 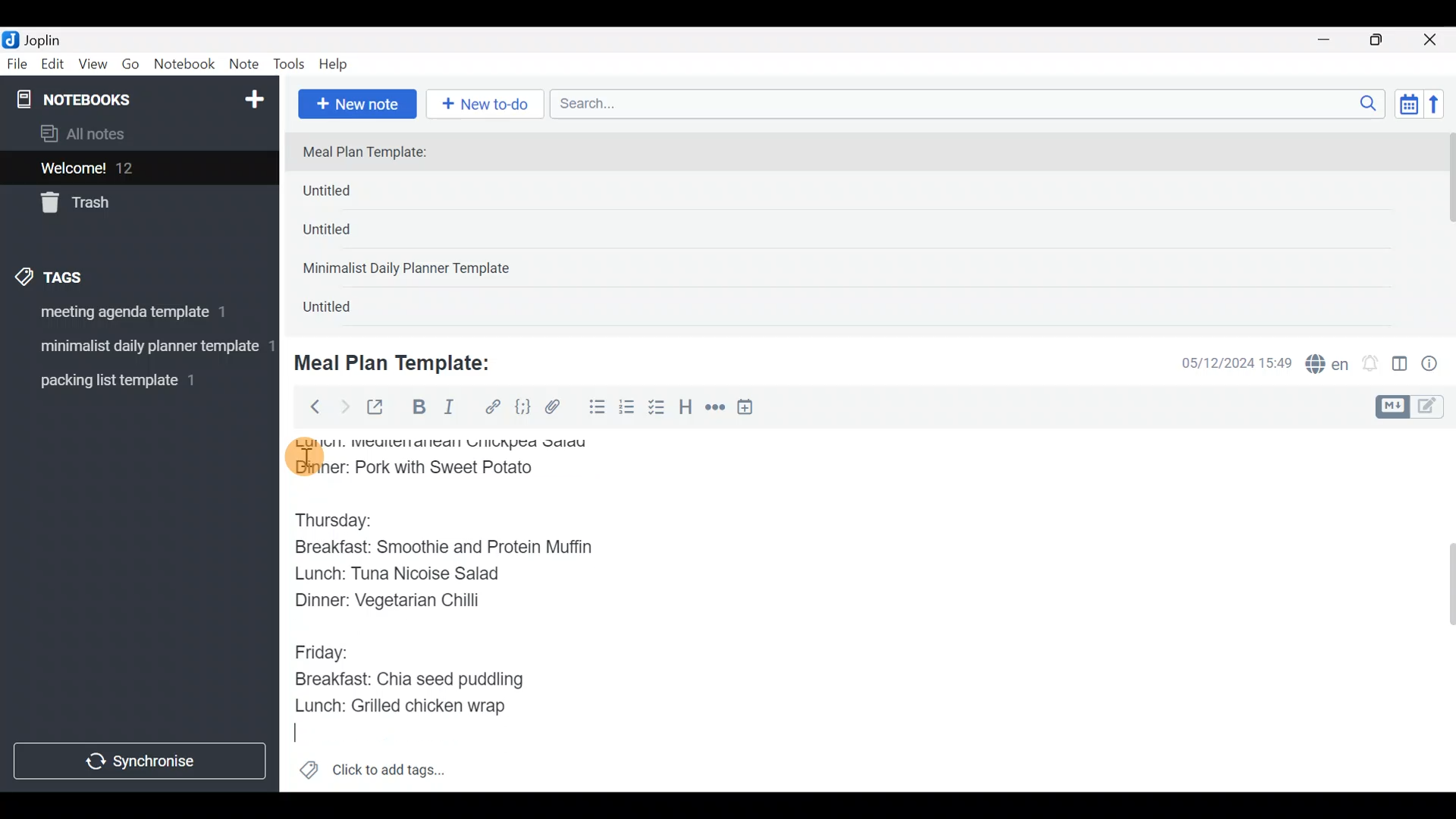 I want to click on Forward, so click(x=344, y=406).